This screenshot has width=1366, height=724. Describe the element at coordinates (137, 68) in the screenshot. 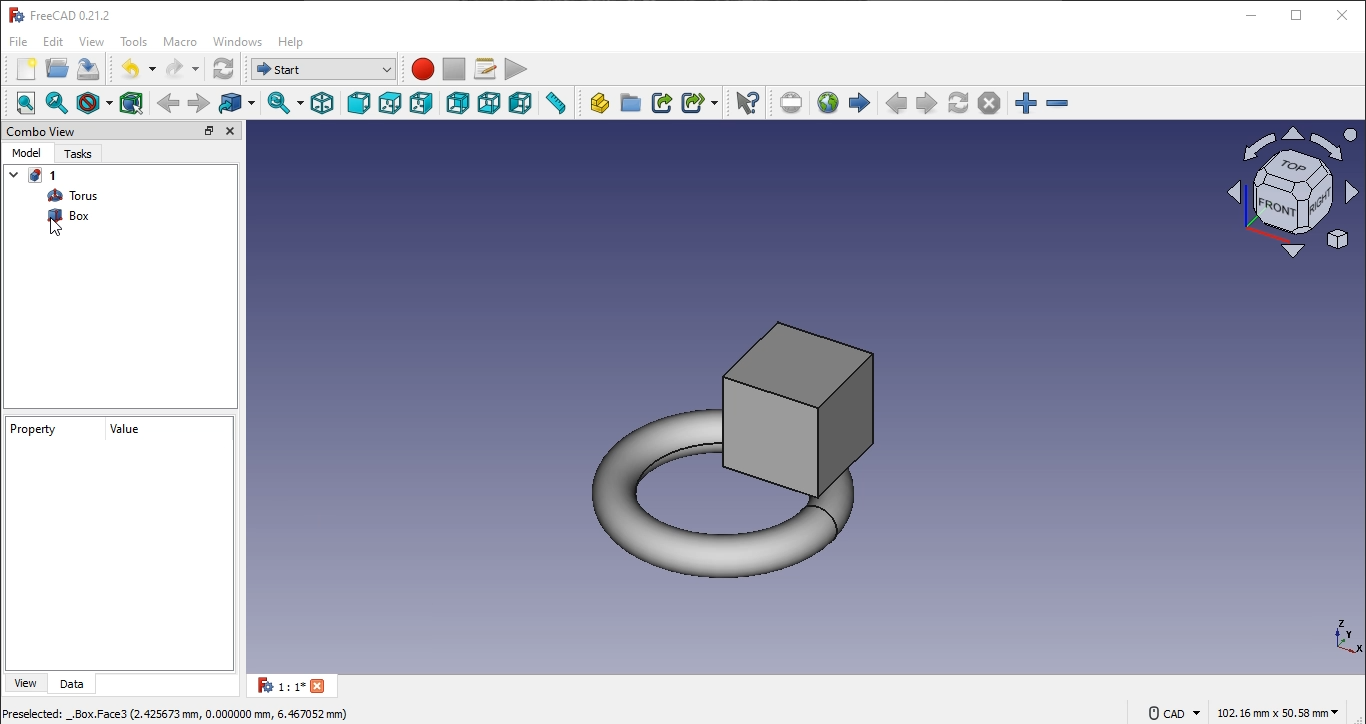

I see `undo` at that location.